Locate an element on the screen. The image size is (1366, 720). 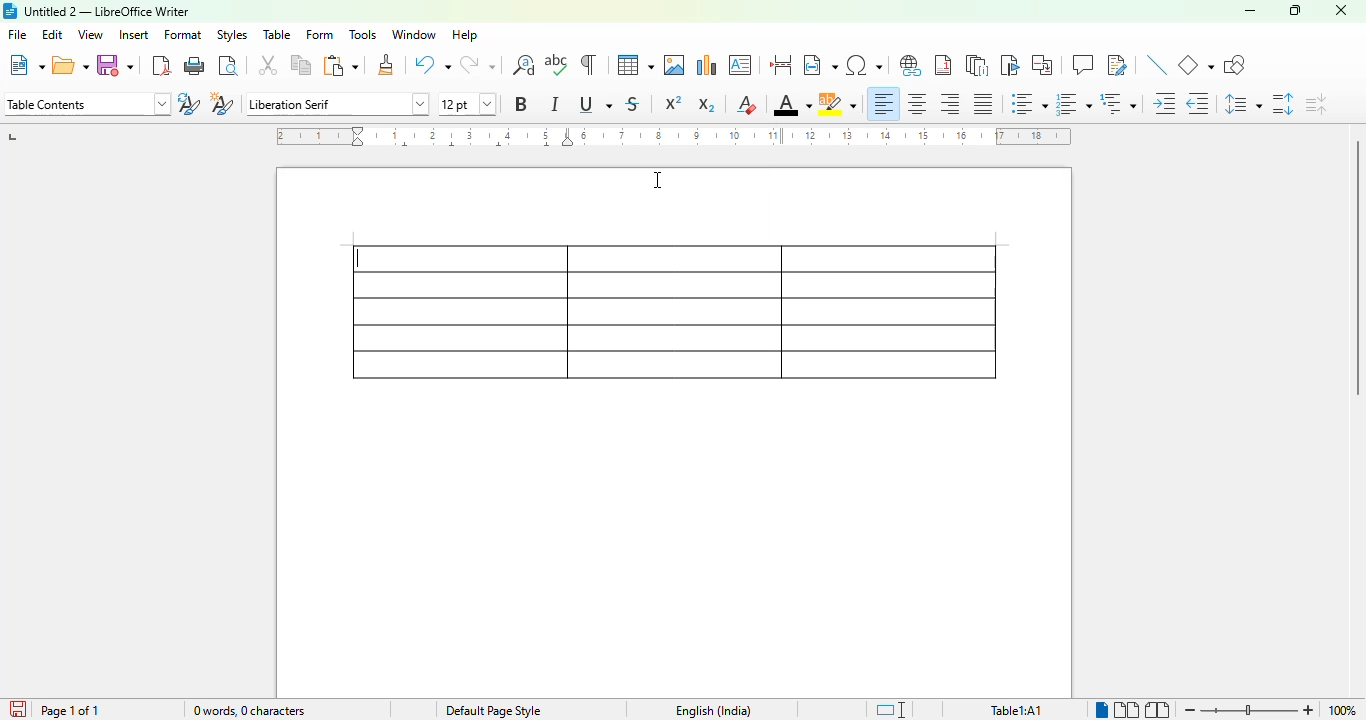
save is located at coordinates (116, 64).